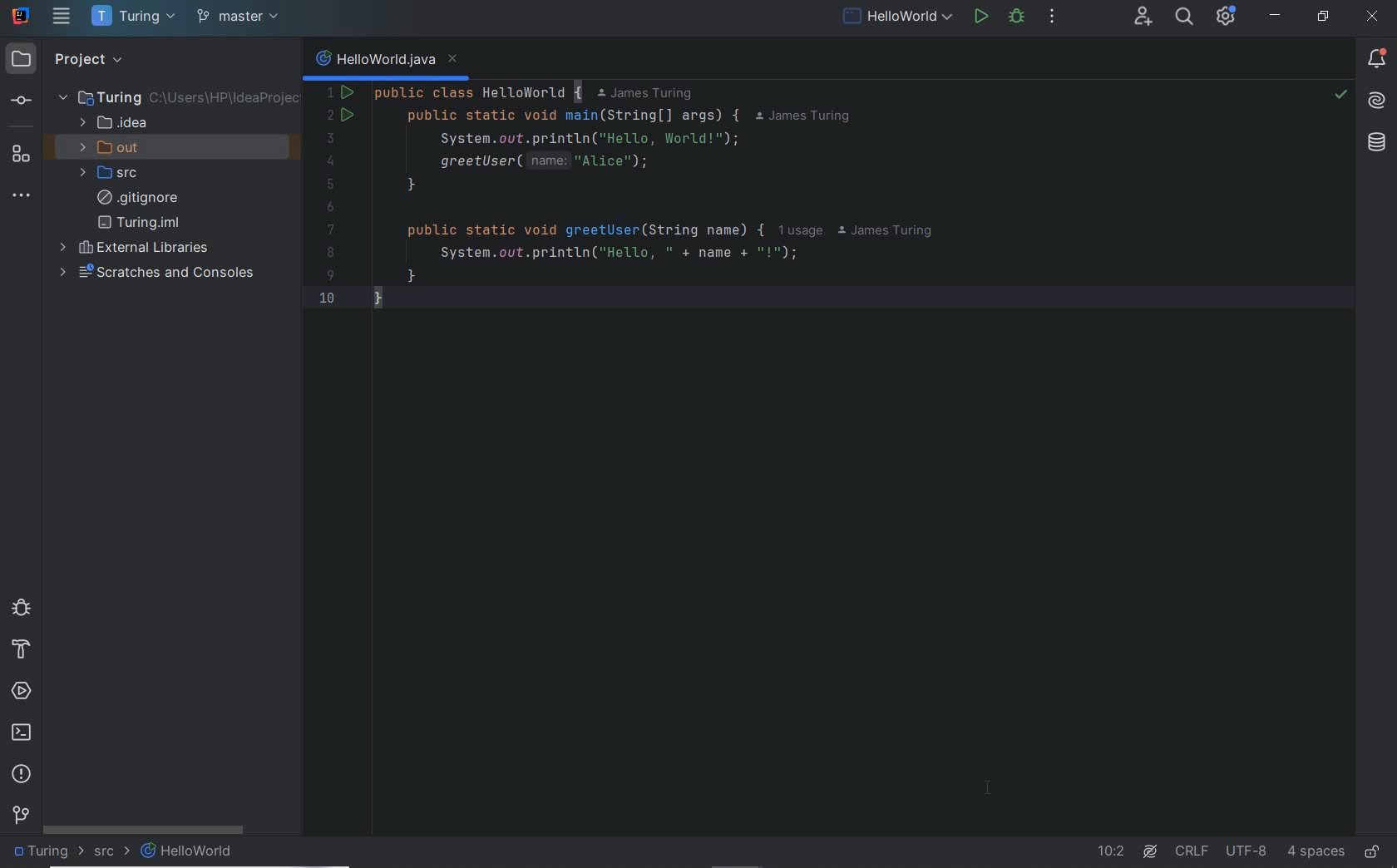 This screenshot has height=868, width=1397. Describe the element at coordinates (898, 16) in the screenshot. I see `RUN/DEBUG CONFICURATIONS` at that location.